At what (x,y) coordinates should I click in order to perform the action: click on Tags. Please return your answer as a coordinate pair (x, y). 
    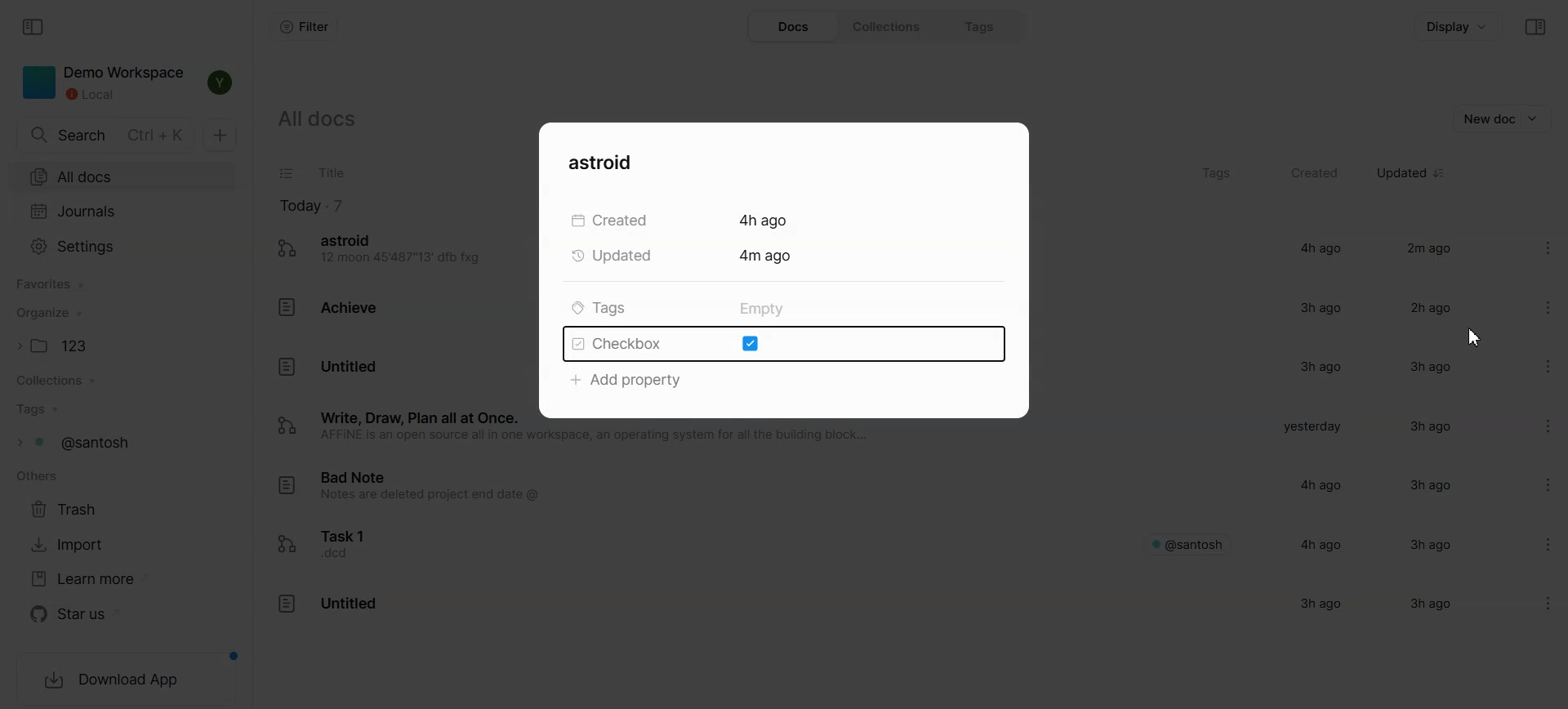
    Looking at the image, I should click on (1215, 174).